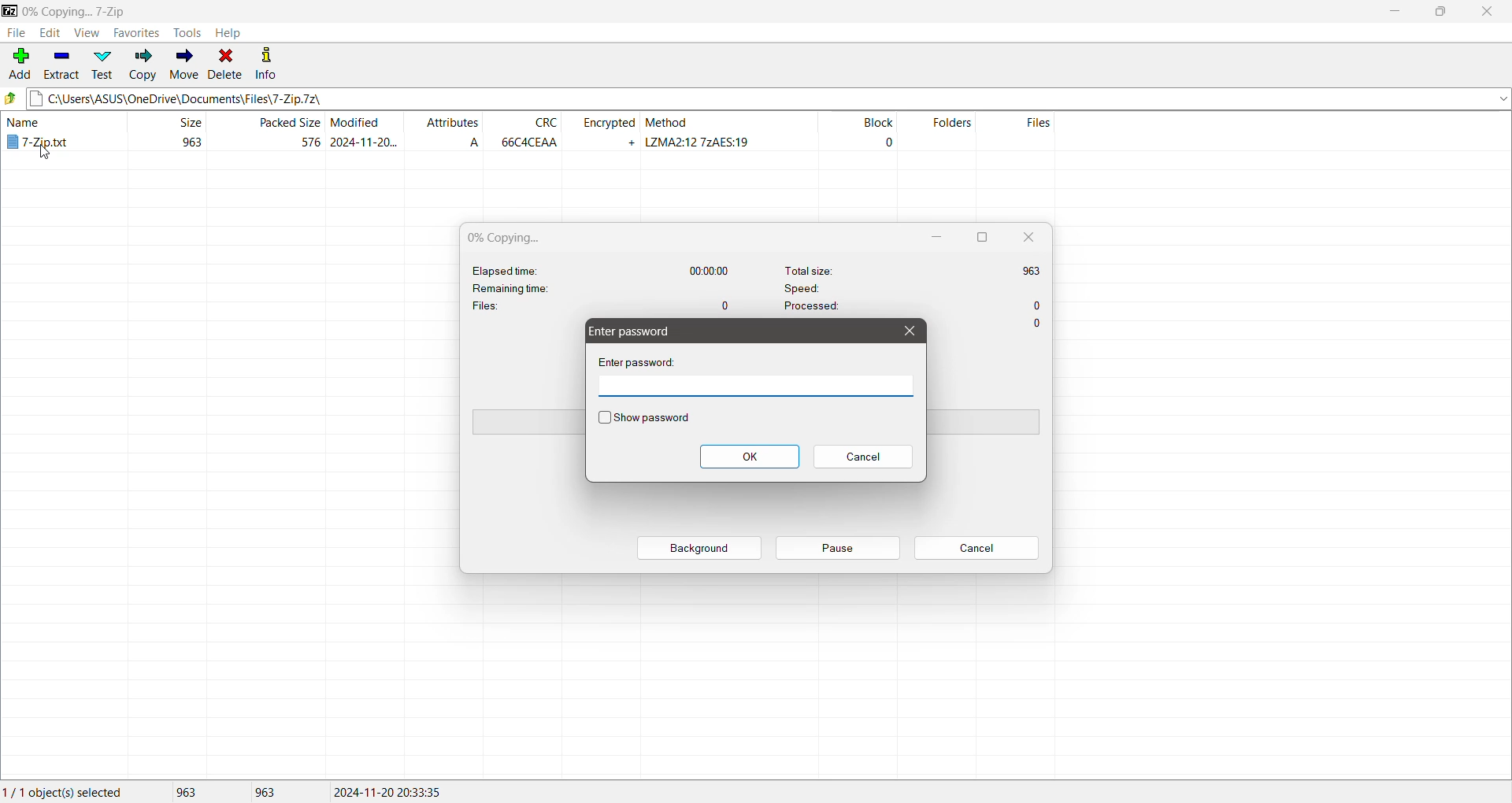  Describe the element at coordinates (11, 98) in the screenshot. I see `Move Up one level` at that location.